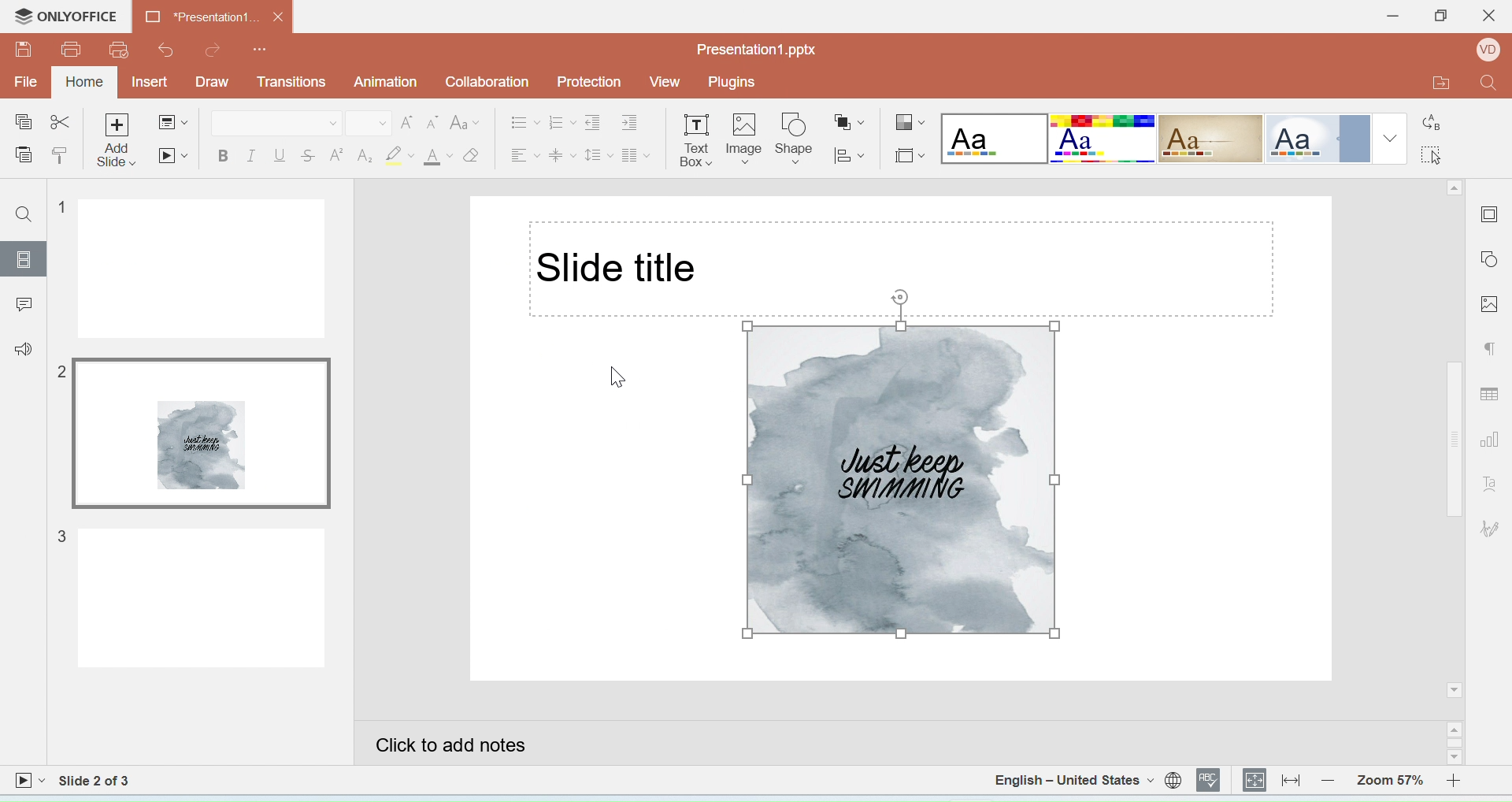 The image size is (1512, 802). What do you see at coordinates (1492, 212) in the screenshot?
I see `Slide settings` at bounding box center [1492, 212].